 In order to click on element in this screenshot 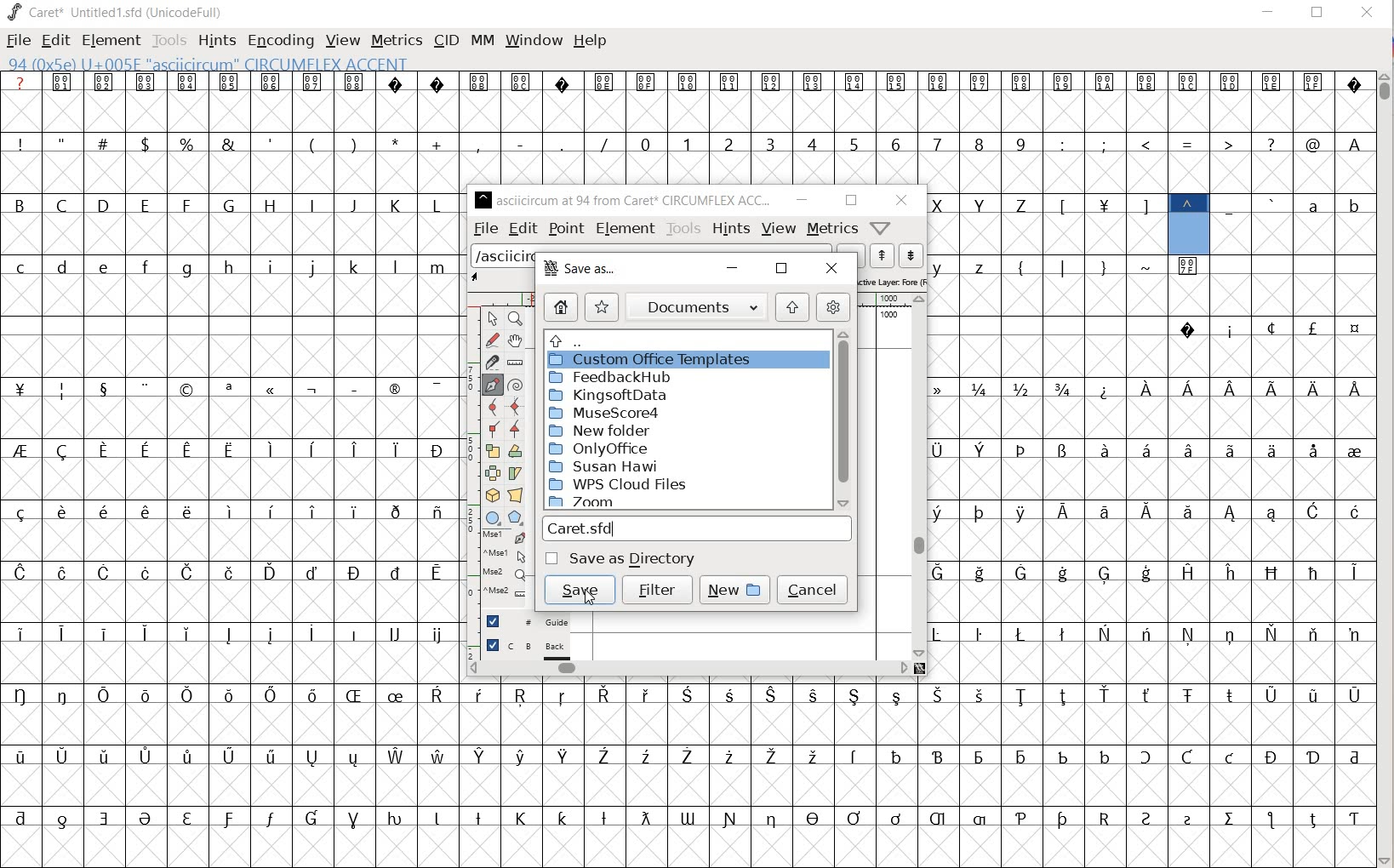, I will do `click(626, 228)`.